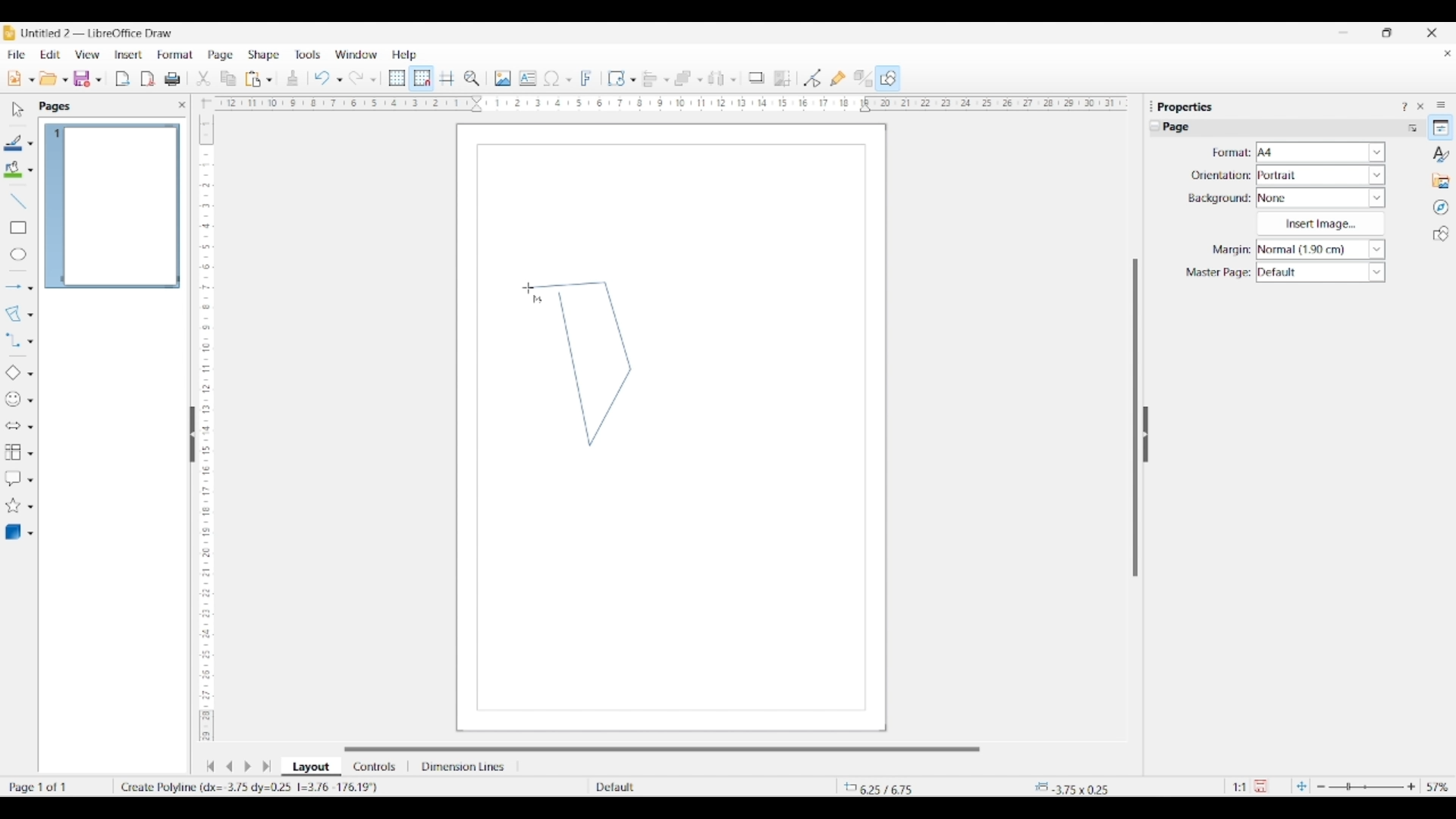  What do you see at coordinates (308, 54) in the screenshot?
I see `Tools` at bounding box center [308, 54].